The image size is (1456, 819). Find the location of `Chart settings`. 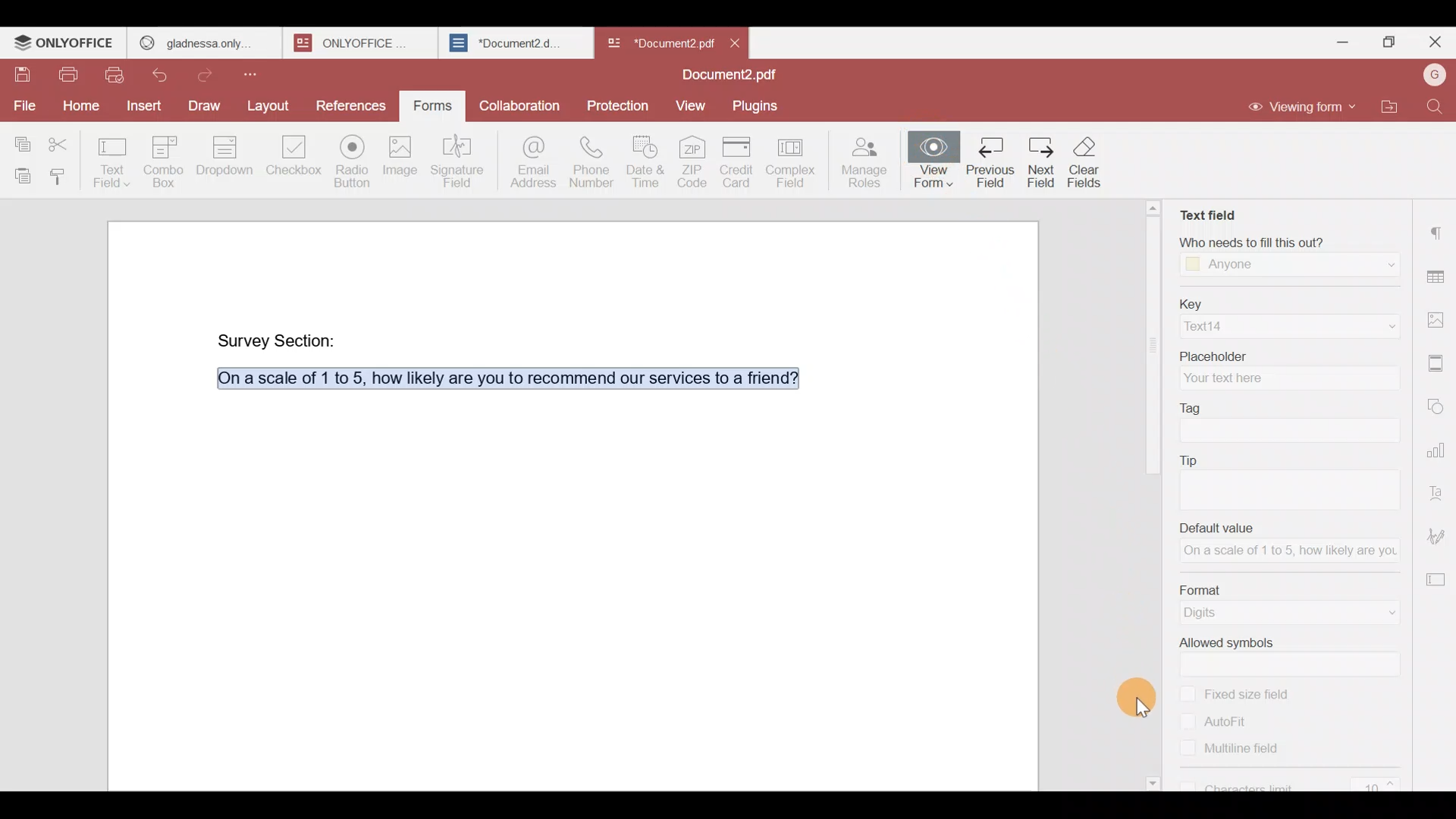

Chart settings is located at coordinates (1438, 450).